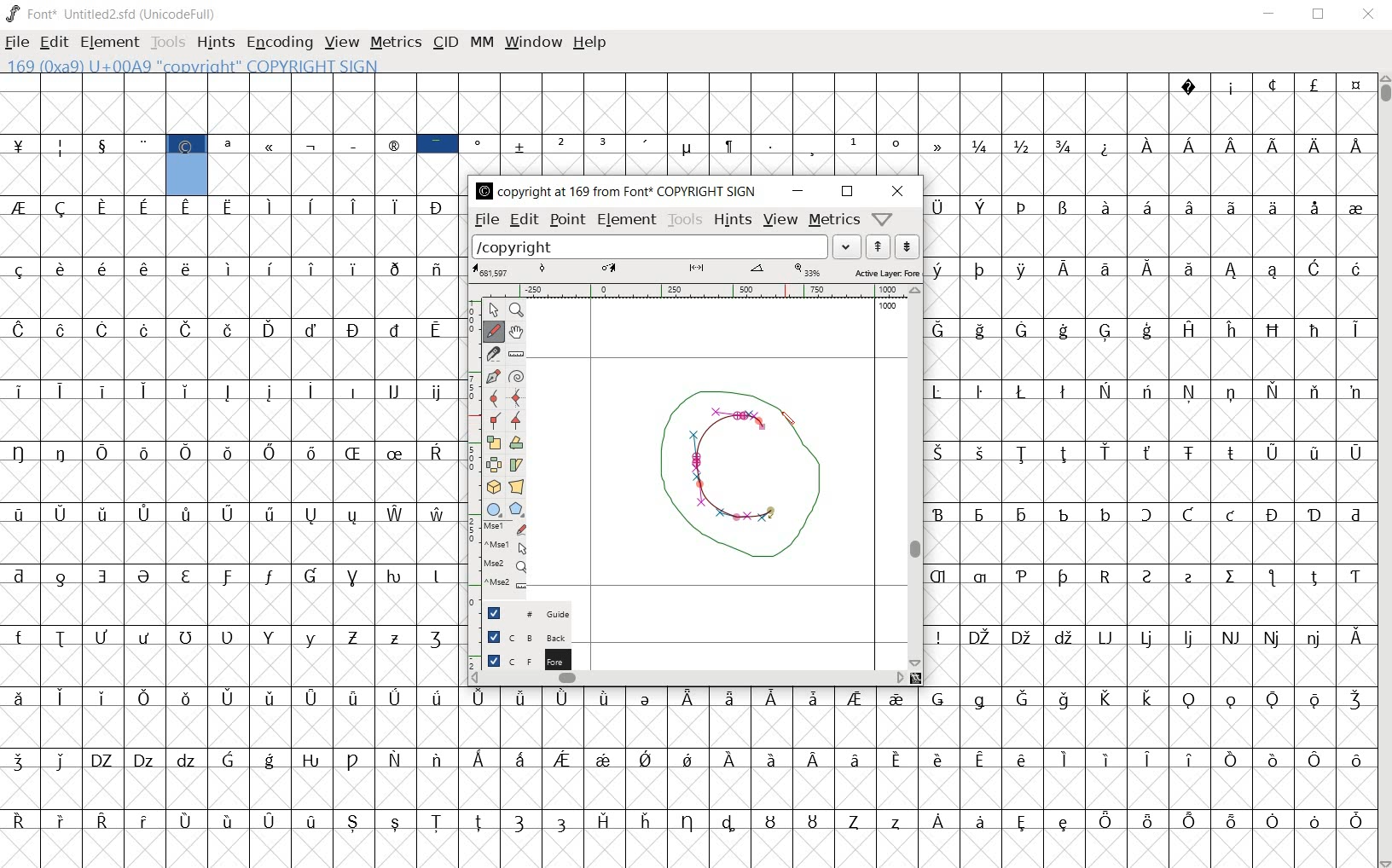 The height and width of the screenshot is (868, 1392). What do you see at coordinates (1369, 14) in the screenshot?
I see `close` at bounding box center [1369, 14].